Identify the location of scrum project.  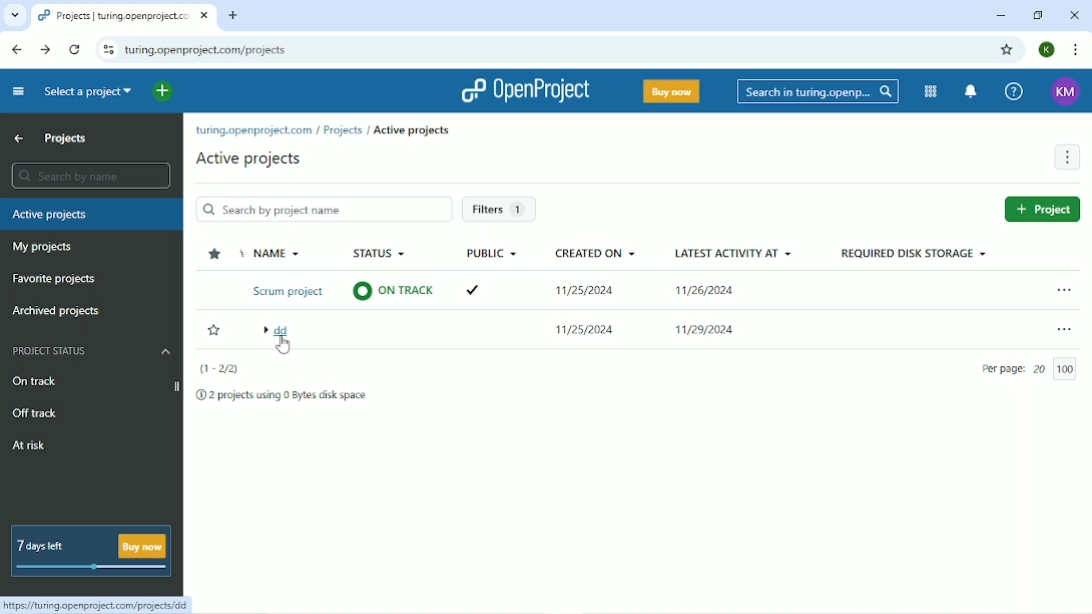
(285, 293).